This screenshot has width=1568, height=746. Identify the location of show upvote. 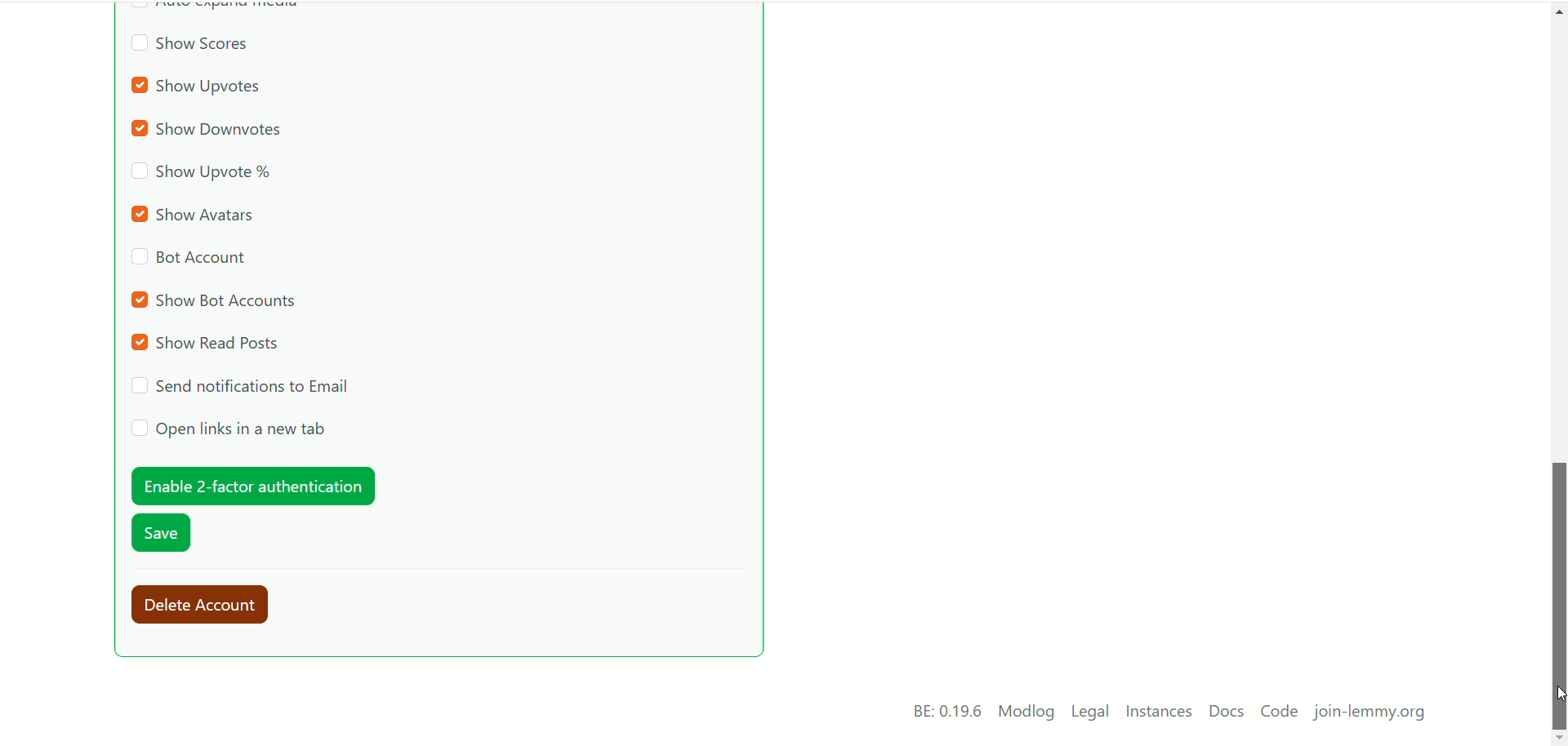
(203, 174).